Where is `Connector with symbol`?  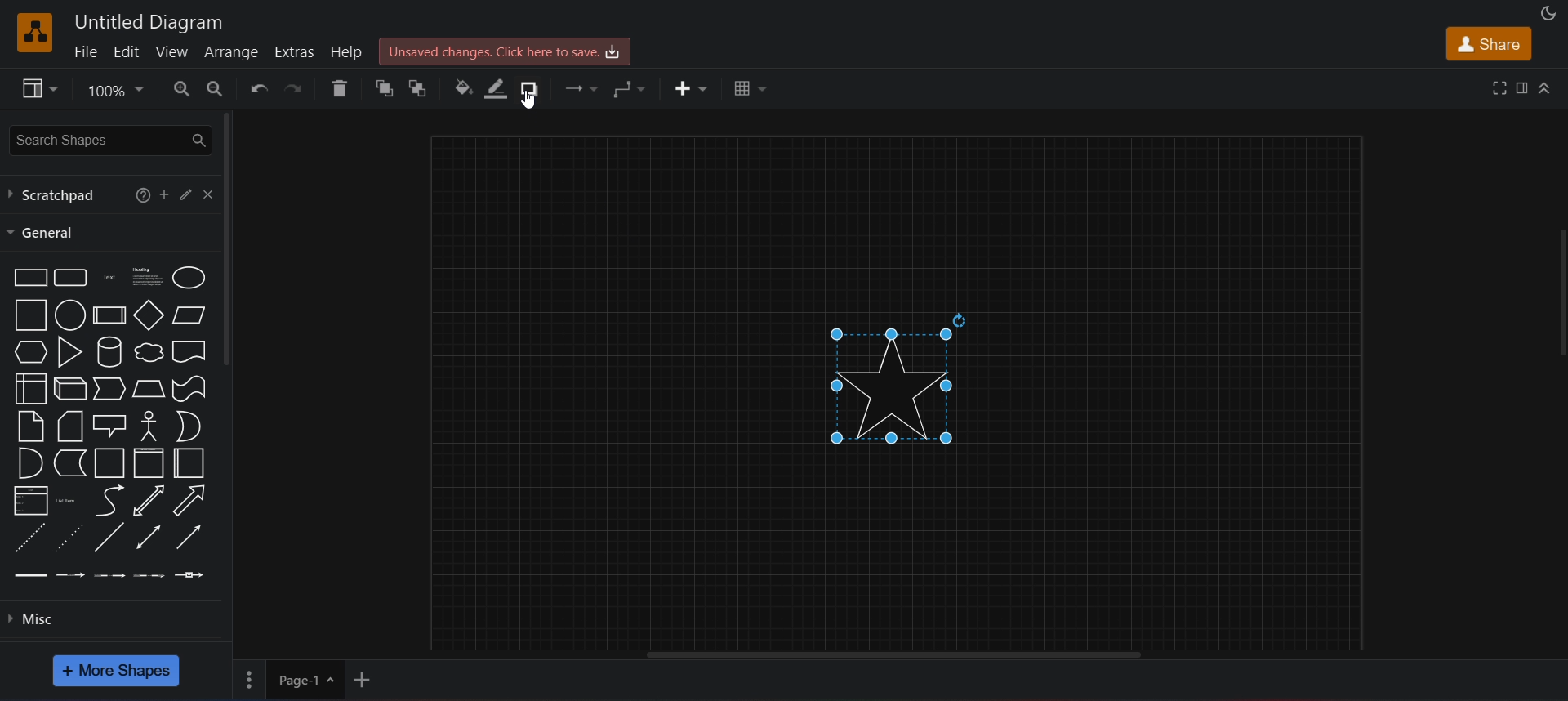 Connector with symbol is located at coordinates (193, 574).